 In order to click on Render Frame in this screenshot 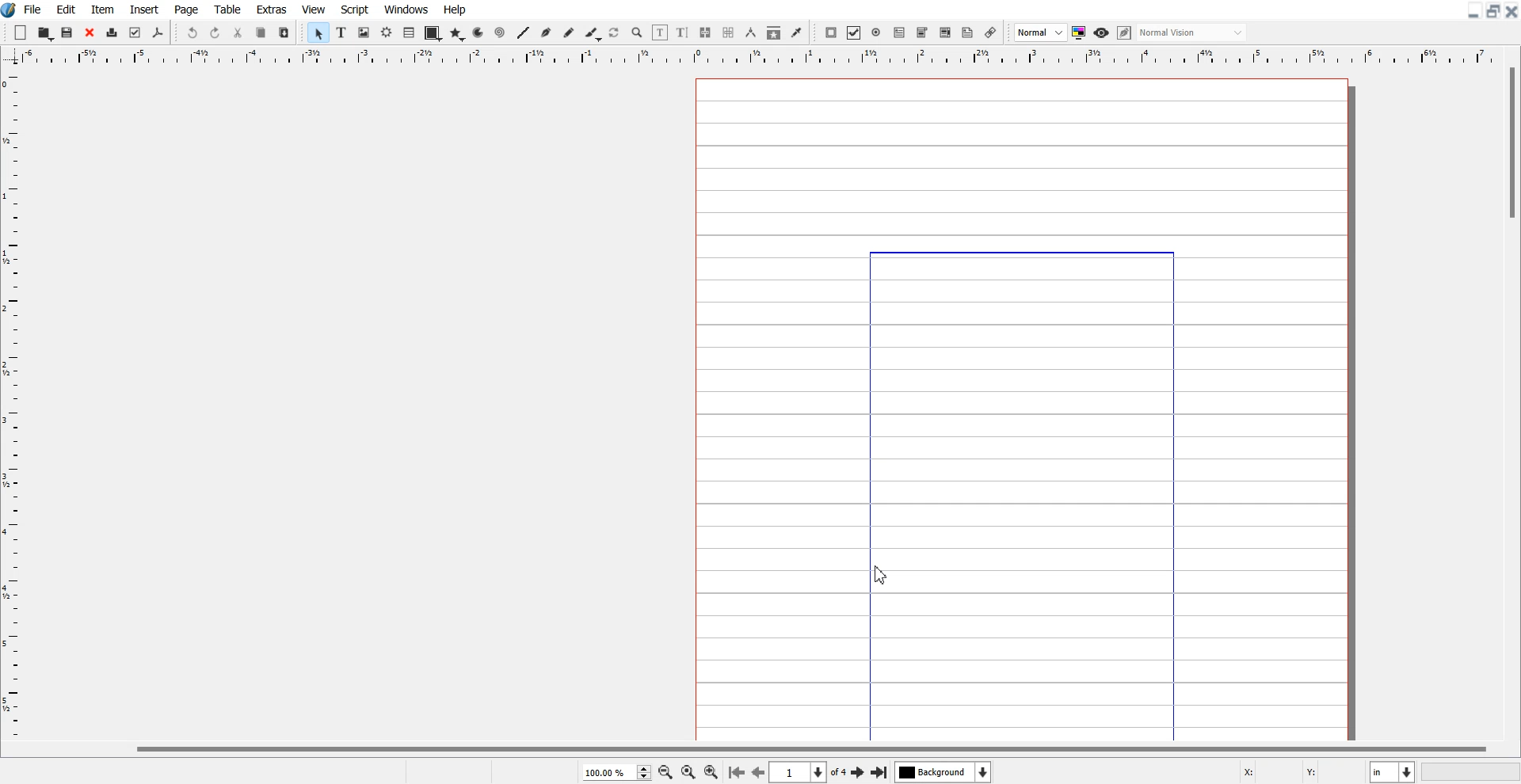, I will do `click(387, 32)`.